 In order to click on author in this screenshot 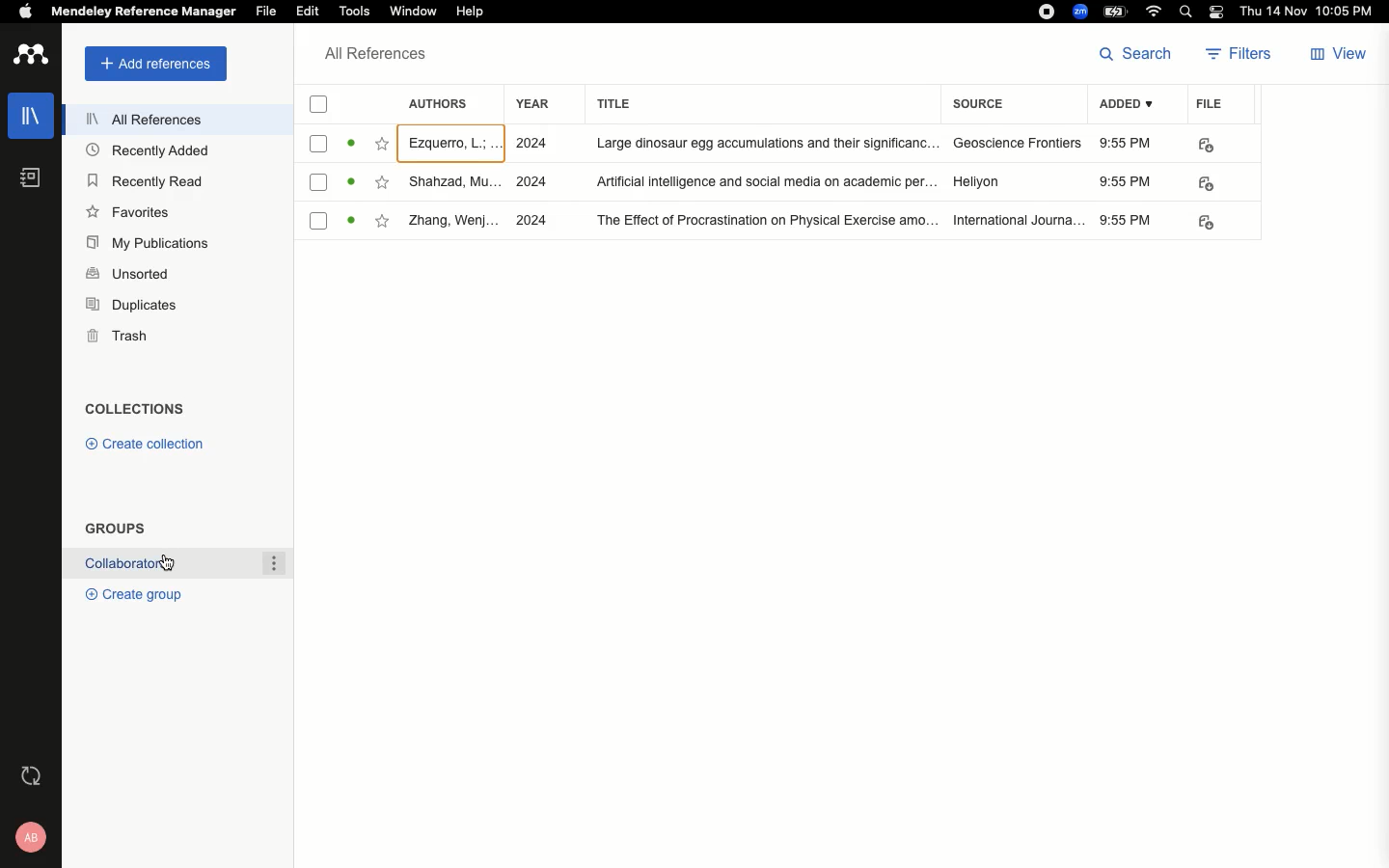, I will do `click(452, 141)`.